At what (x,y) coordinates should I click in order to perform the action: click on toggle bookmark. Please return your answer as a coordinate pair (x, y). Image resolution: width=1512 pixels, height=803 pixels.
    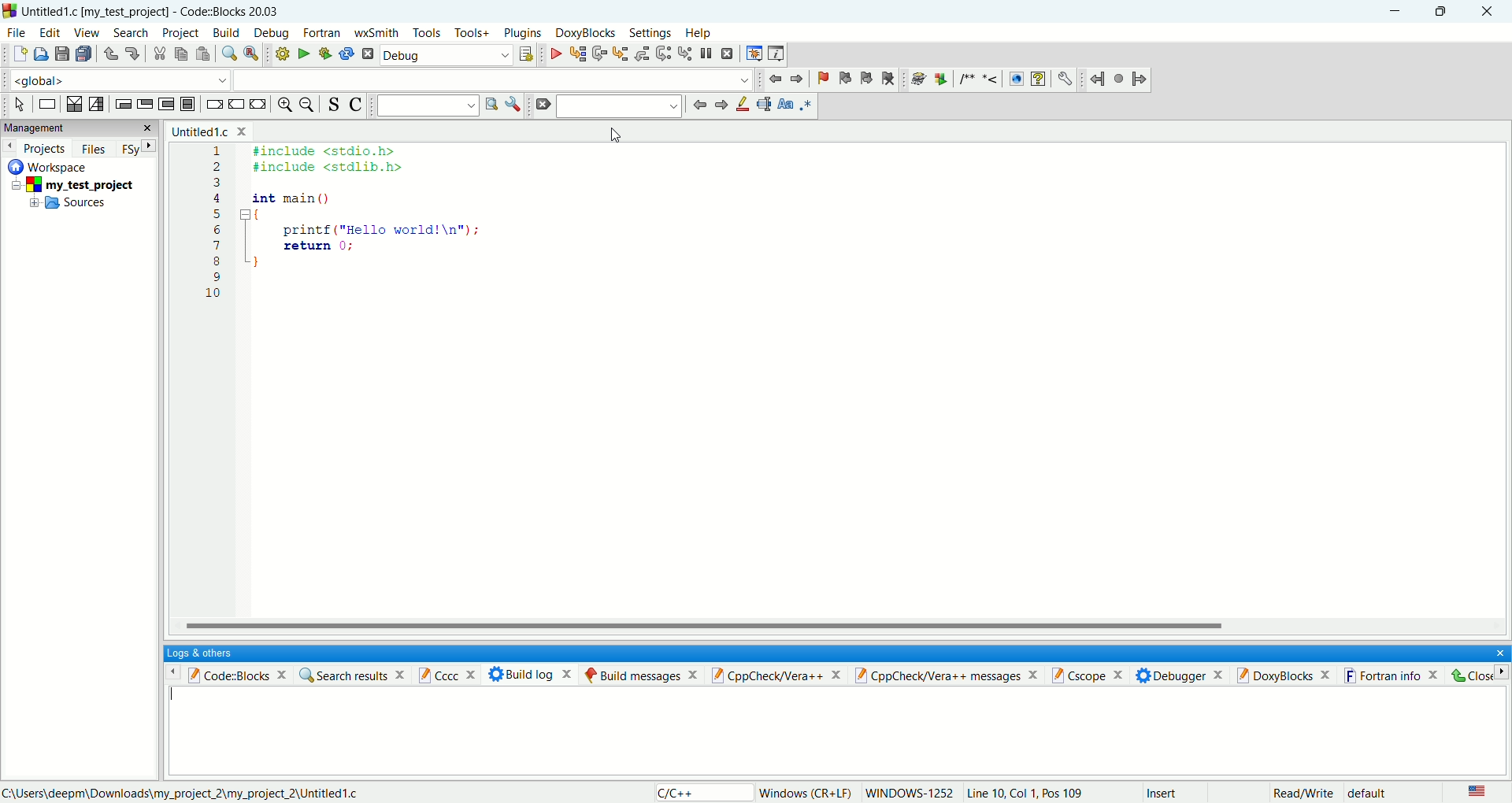
    Looking at the image, I should click on (820, 79).